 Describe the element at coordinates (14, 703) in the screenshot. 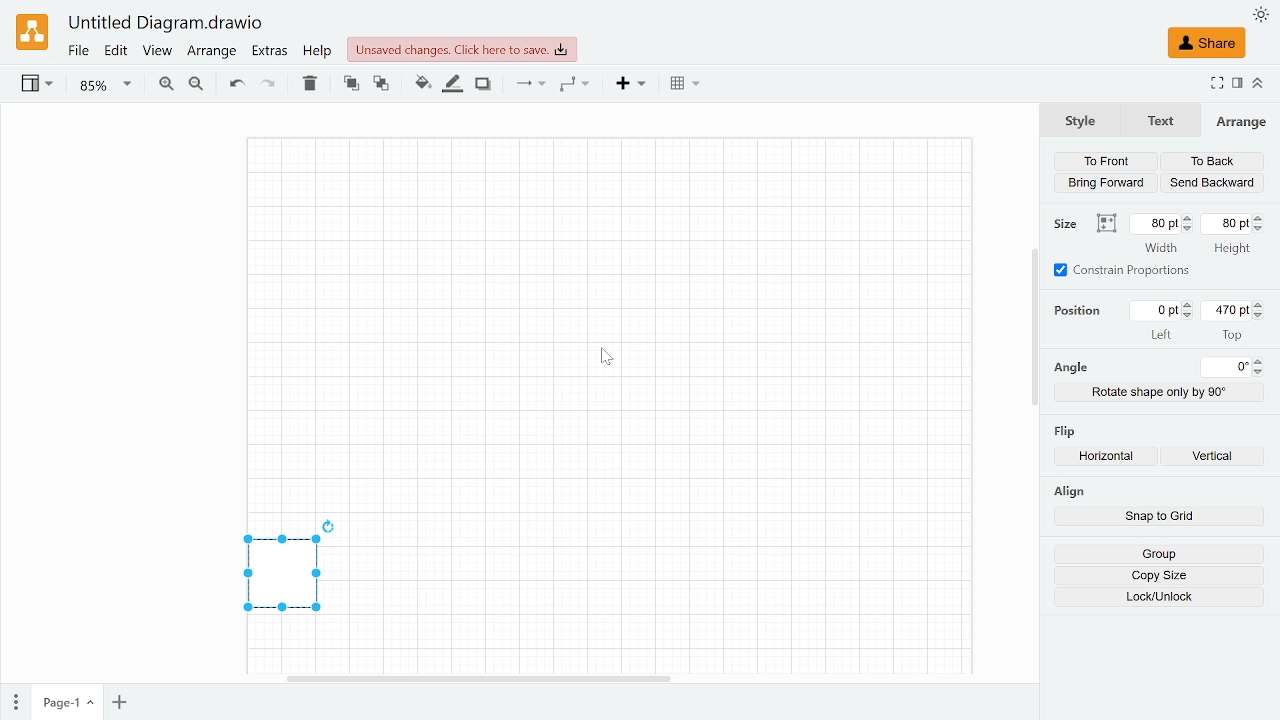

I see `Pages` at that location.